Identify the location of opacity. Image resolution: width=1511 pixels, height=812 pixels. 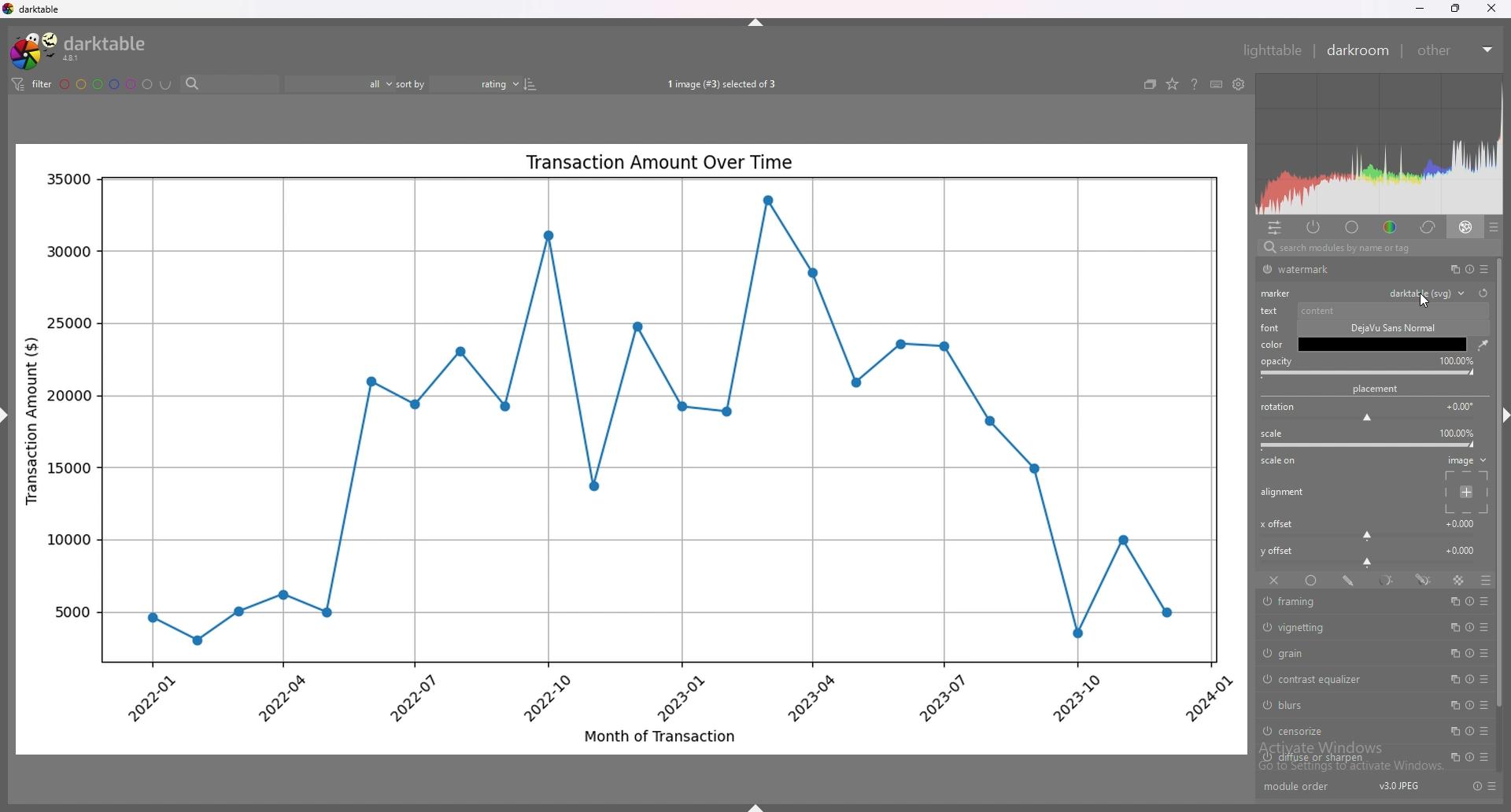
(1276, 362).